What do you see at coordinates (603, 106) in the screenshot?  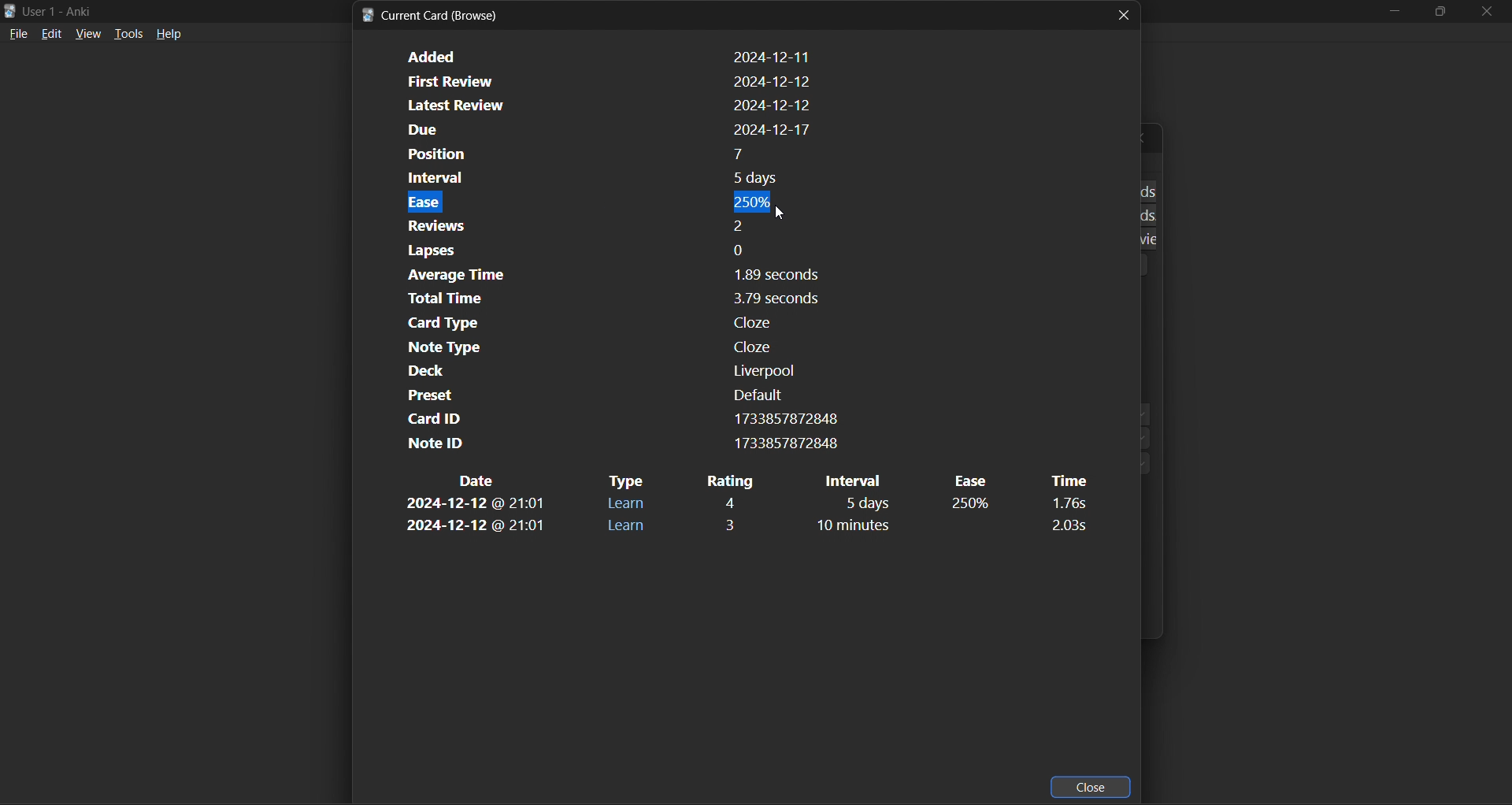 I see `card latest review date` at bounding box center [603, 106].